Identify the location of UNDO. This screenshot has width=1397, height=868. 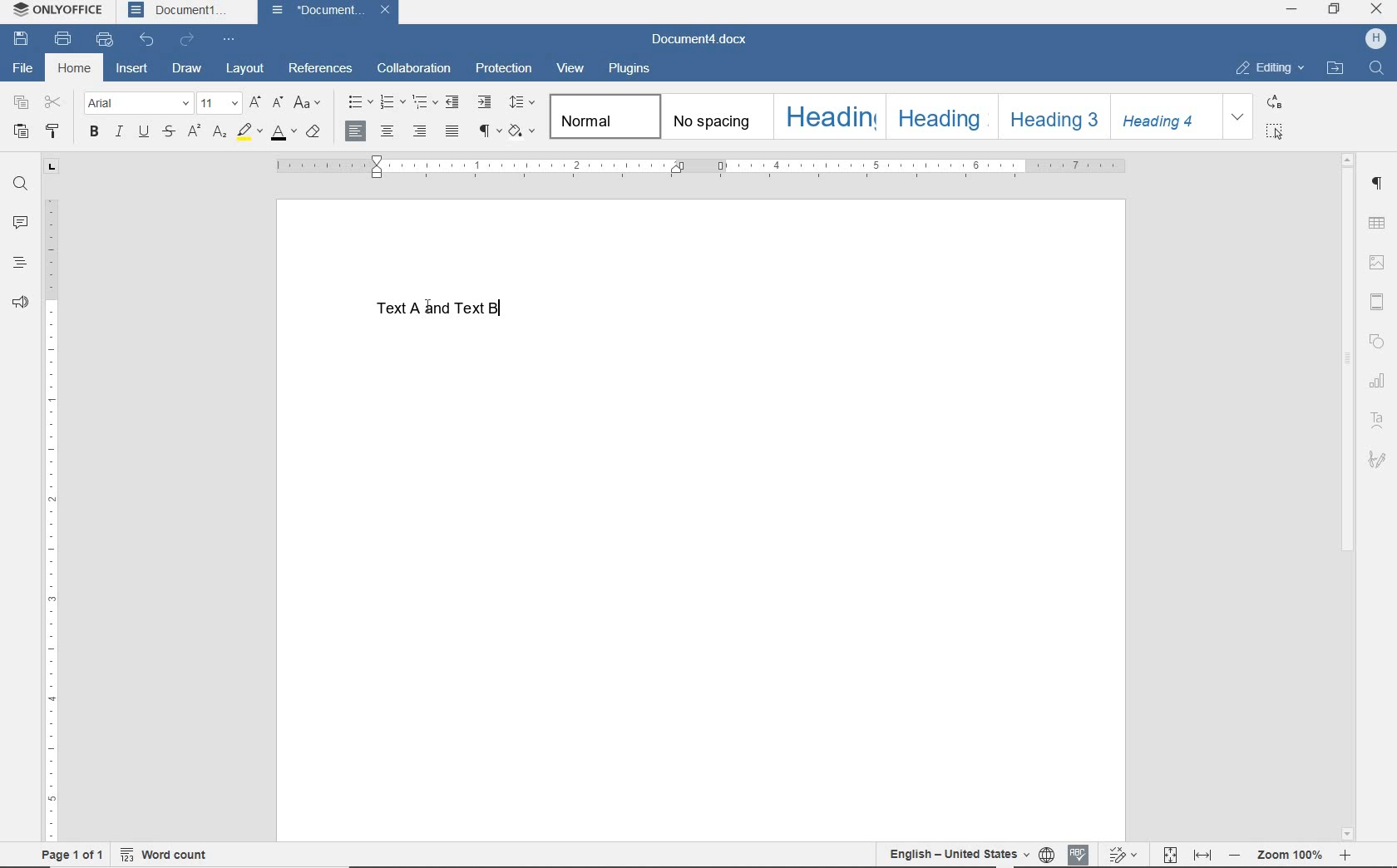
(148, 40).